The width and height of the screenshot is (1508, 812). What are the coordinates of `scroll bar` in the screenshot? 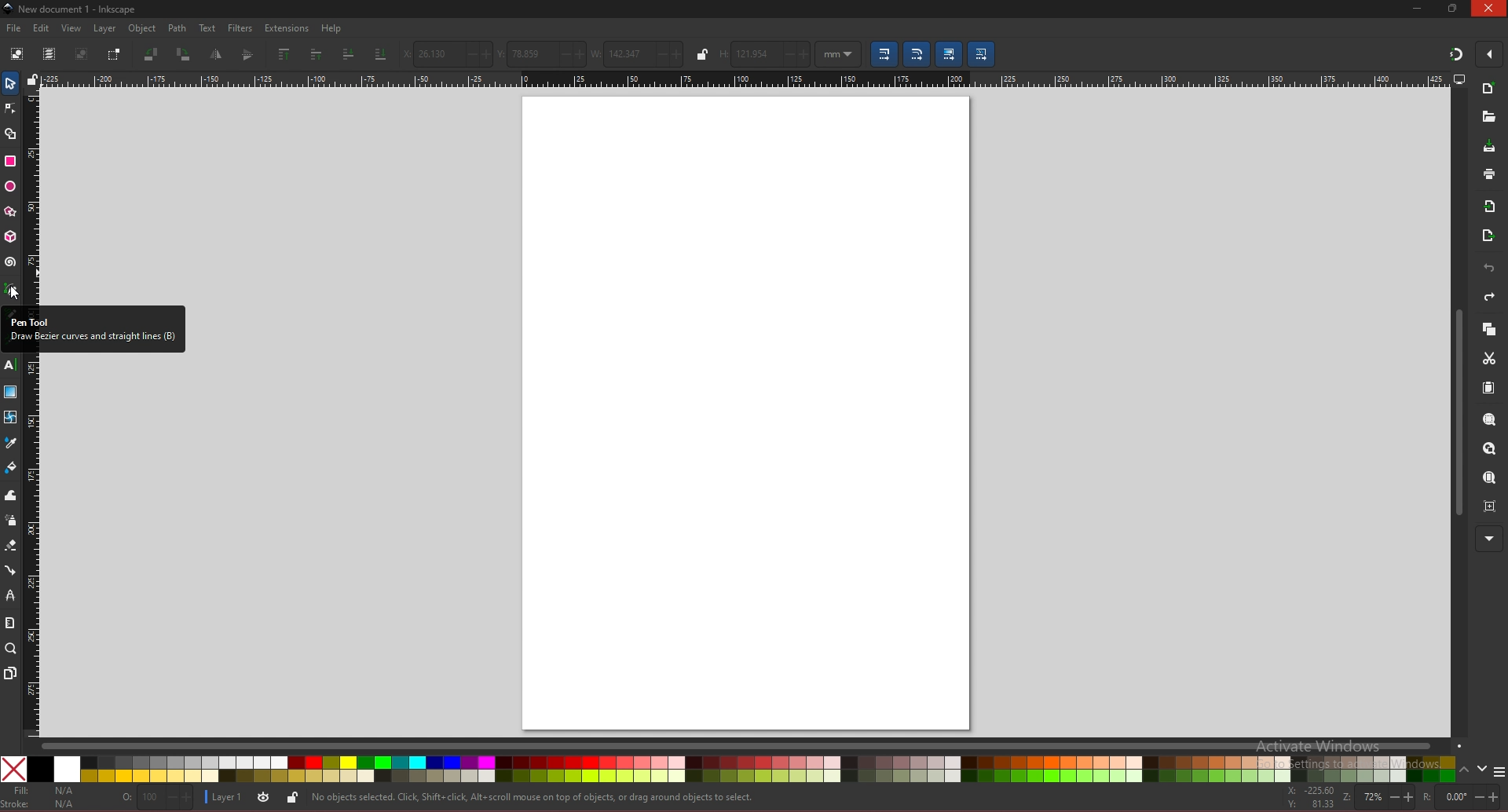 It's located at (1456, 413).